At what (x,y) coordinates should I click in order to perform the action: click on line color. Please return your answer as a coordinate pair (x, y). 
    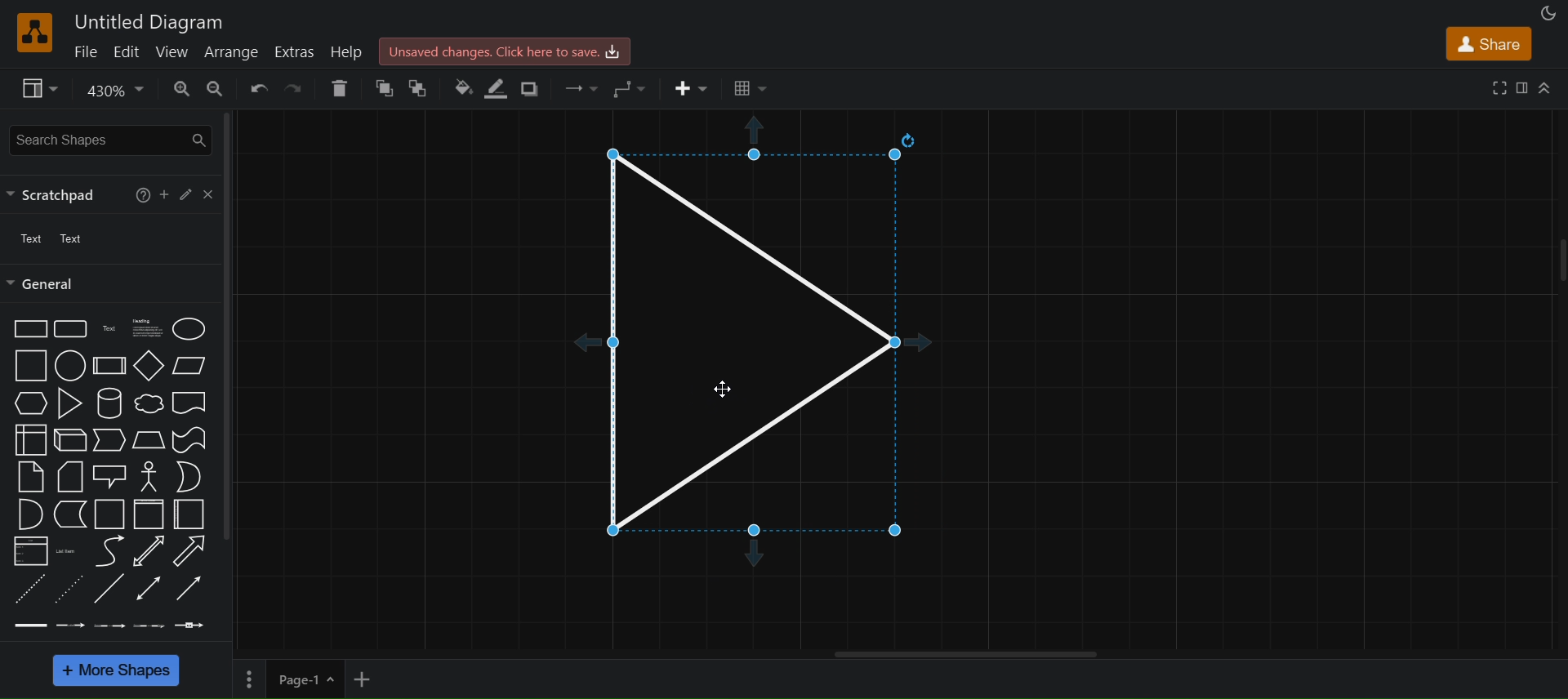
    Looking at the image, I should click on (497, 88).